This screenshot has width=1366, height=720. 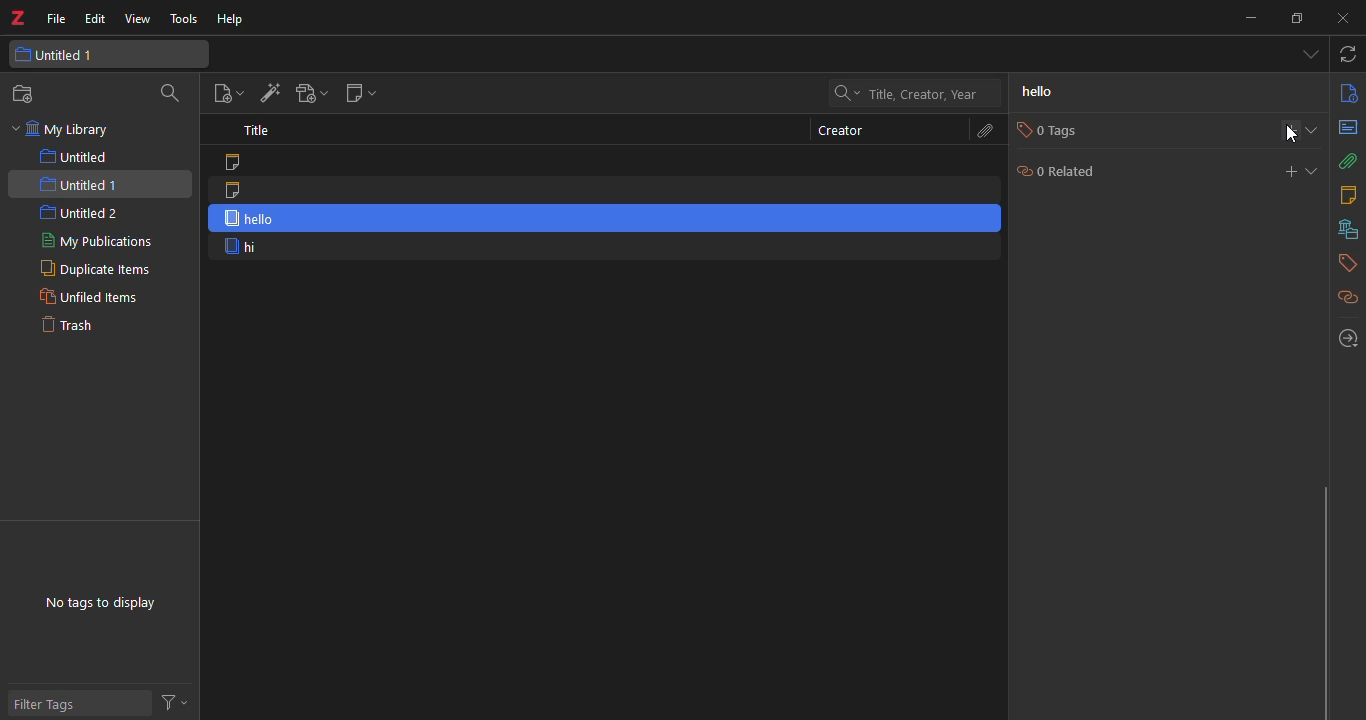 I want to click on hello, so click(x=604, y=218).